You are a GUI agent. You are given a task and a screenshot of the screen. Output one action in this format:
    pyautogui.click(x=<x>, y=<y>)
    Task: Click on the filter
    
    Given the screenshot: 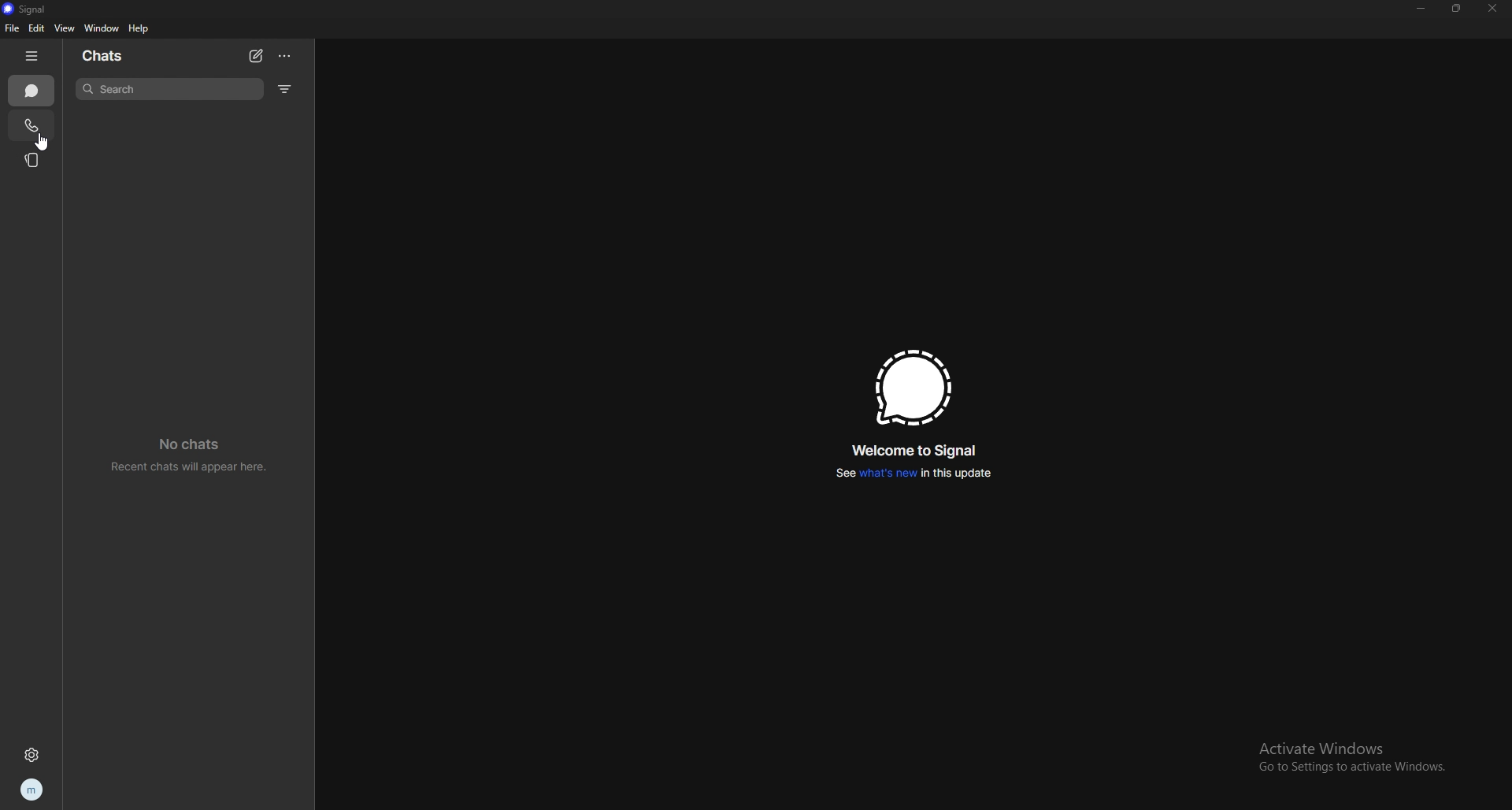 What is the action you would take?
    pyautogui.click(x=287, y=88)
    